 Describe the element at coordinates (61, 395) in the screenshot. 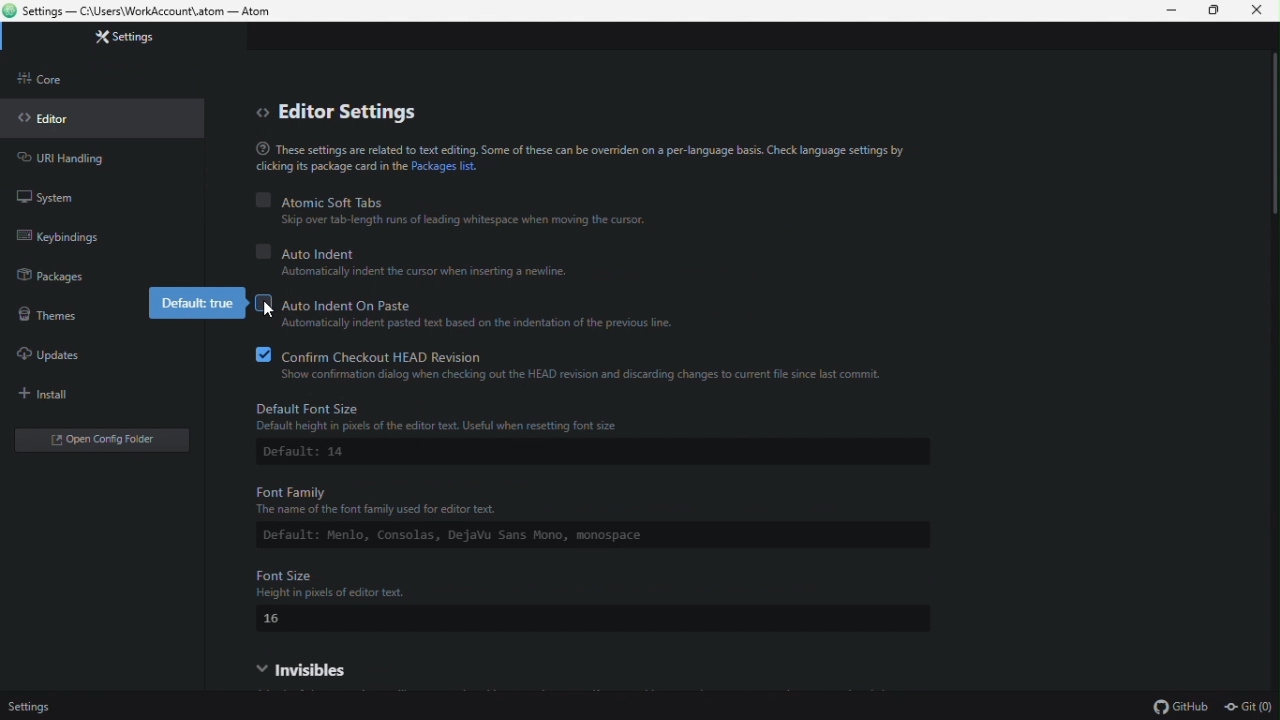

I see `install` at that location.